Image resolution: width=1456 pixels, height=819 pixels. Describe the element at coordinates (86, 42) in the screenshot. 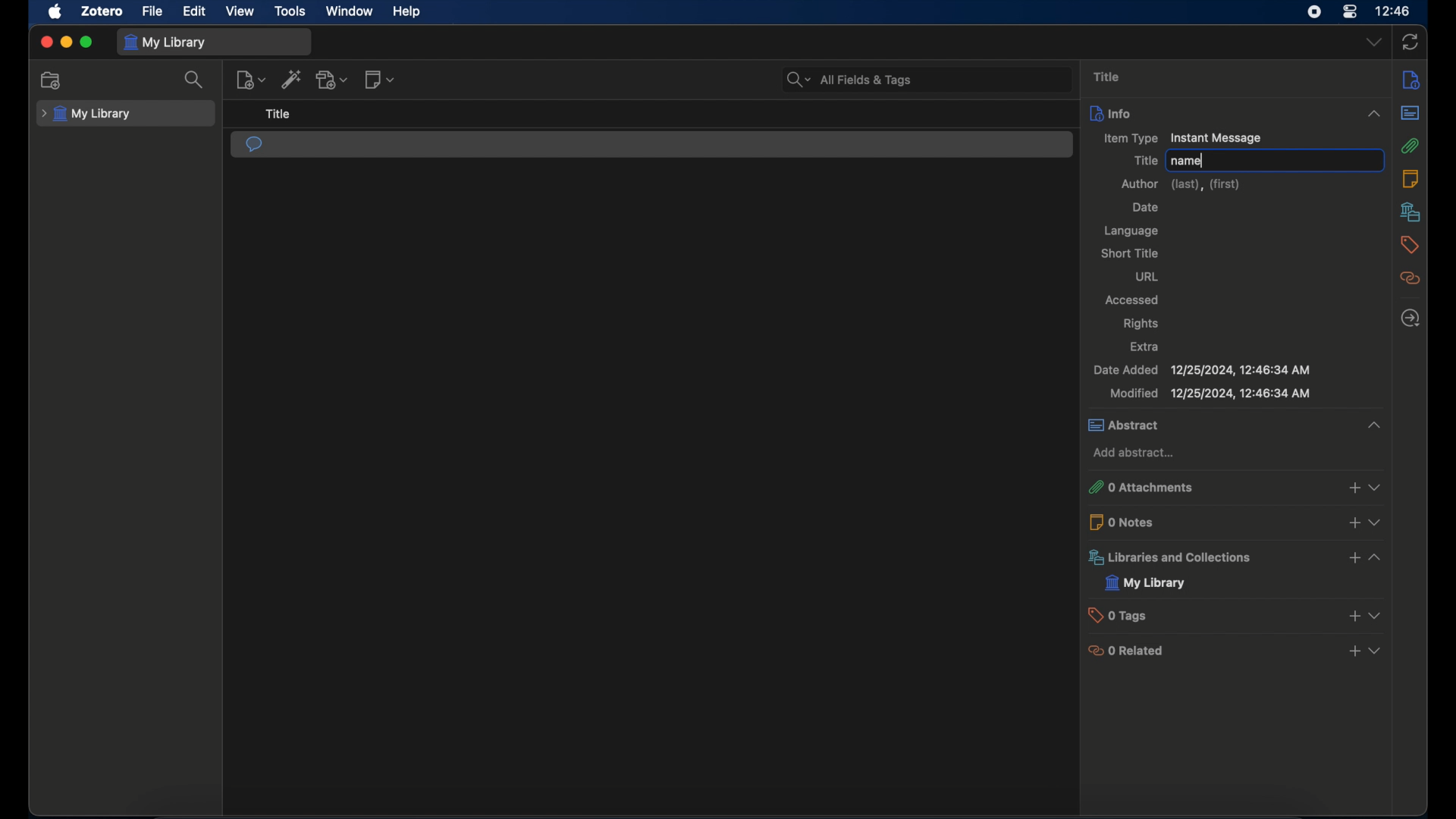

I see `maximize` at that location.